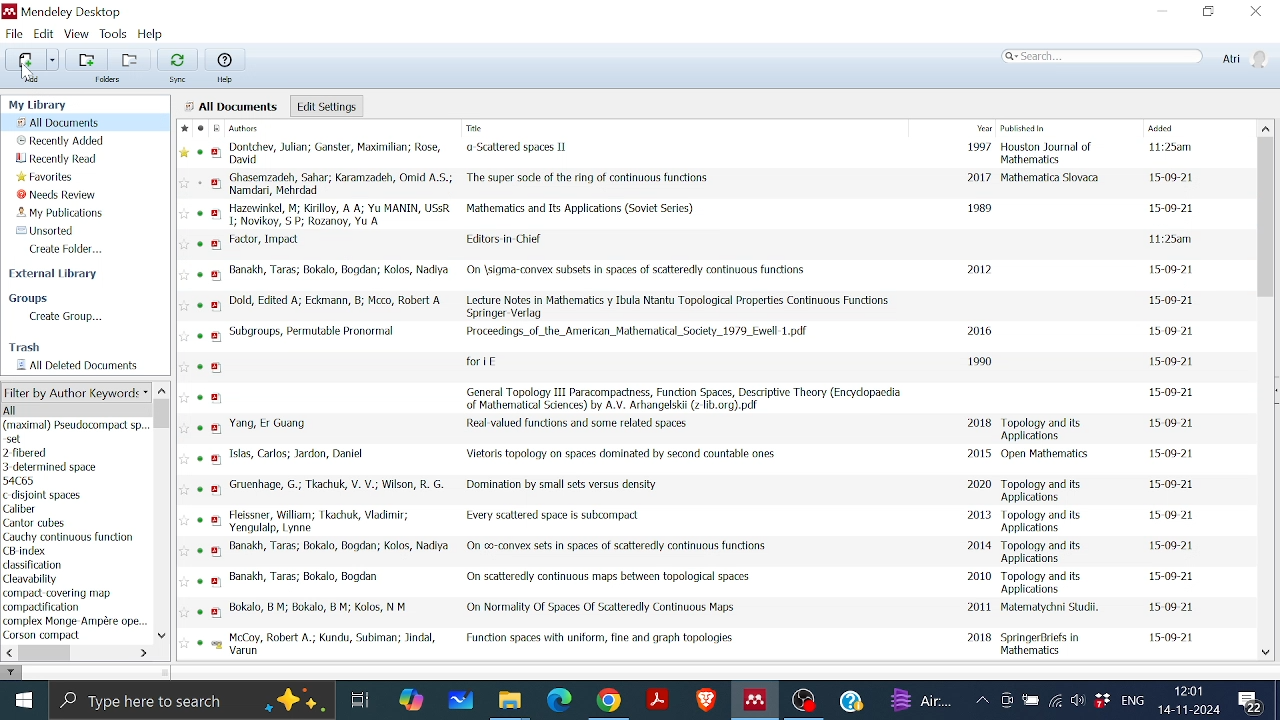 Image resolution: width=1280 pixels, height=720 pixels. Describe the element at coordinates (216, 277) in the screenshot. I see `pdf` at that location.